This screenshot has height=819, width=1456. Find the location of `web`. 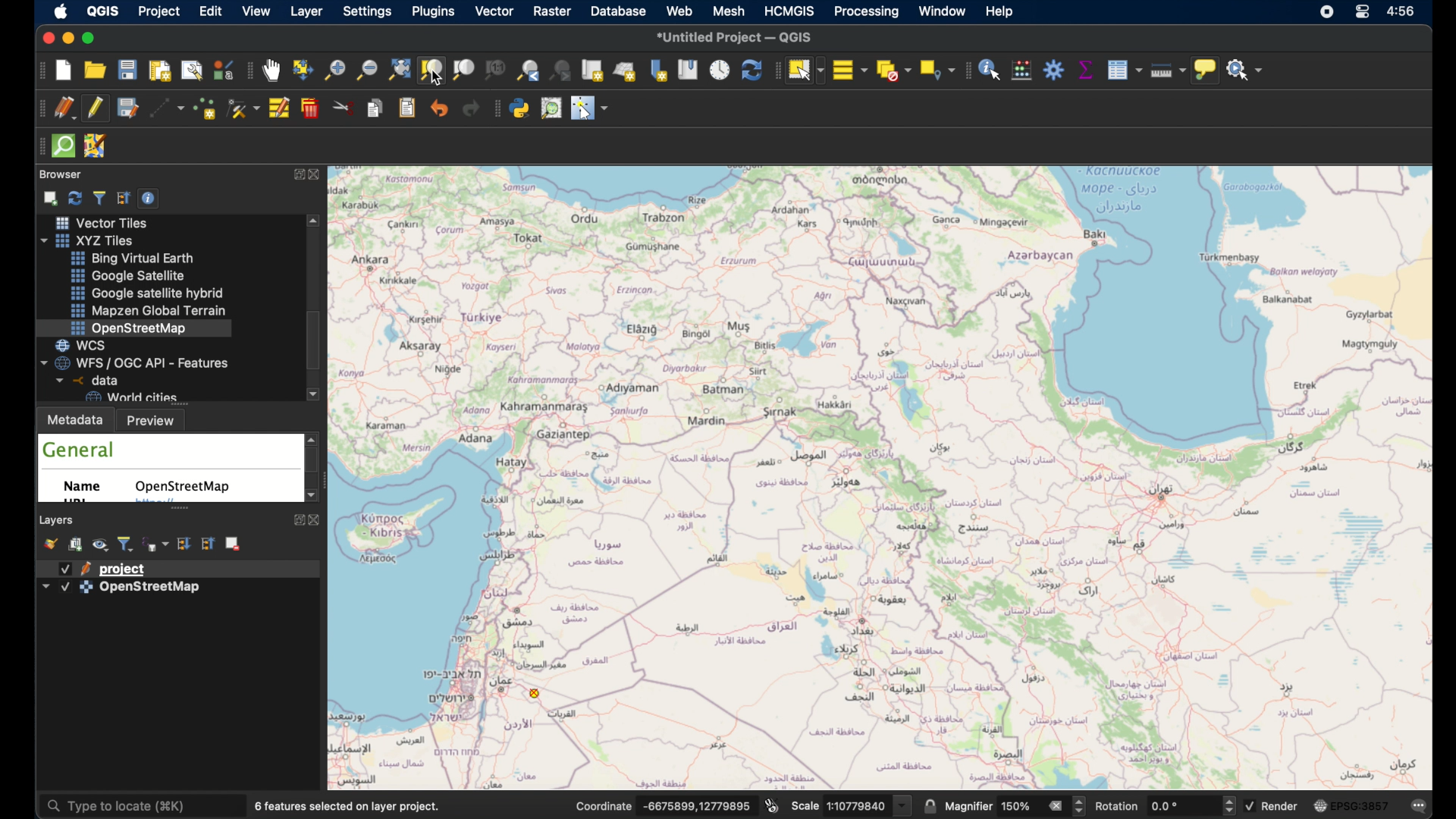

web is located at coordinates (680, 11).